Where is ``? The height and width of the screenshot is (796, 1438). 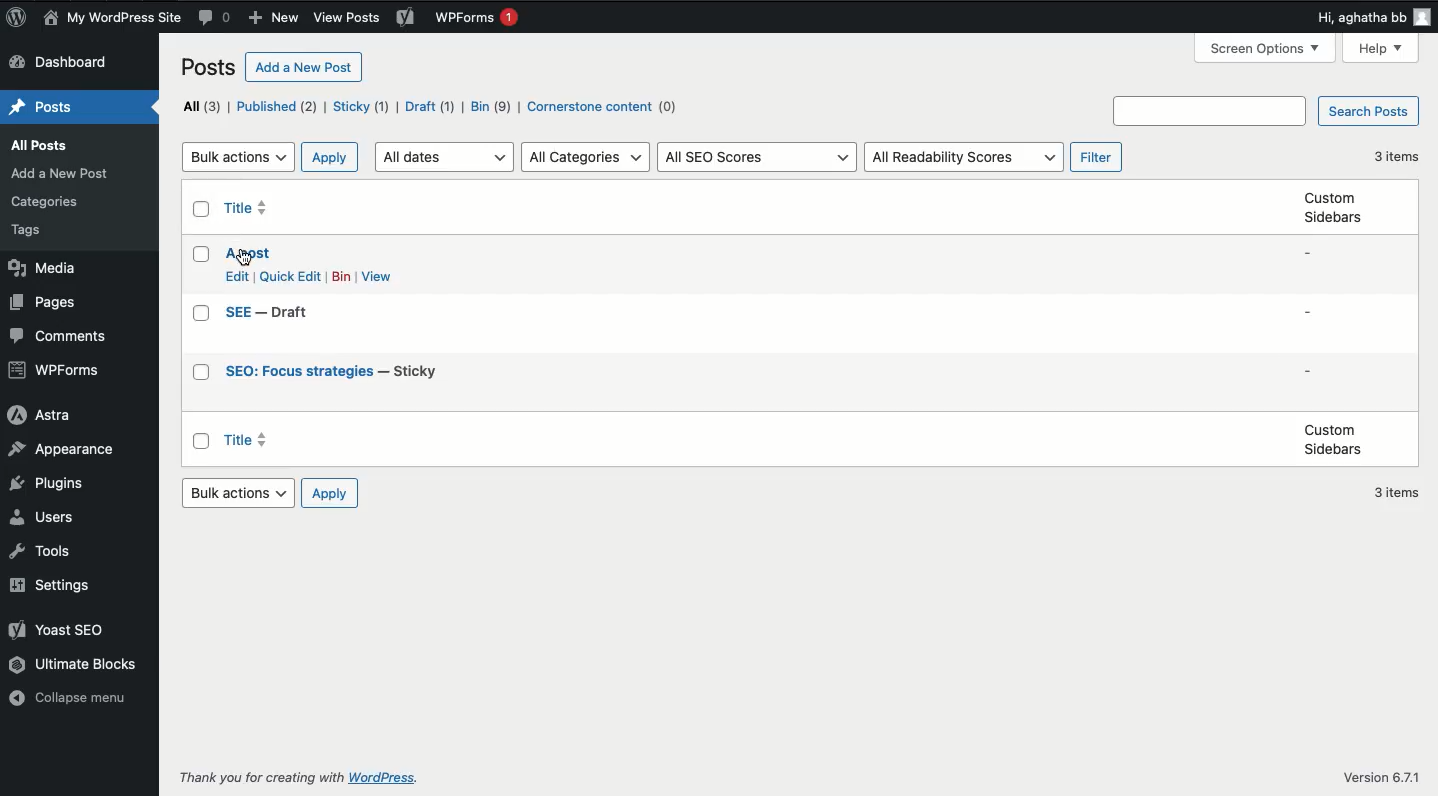
 is located at coordinates (388, 780).